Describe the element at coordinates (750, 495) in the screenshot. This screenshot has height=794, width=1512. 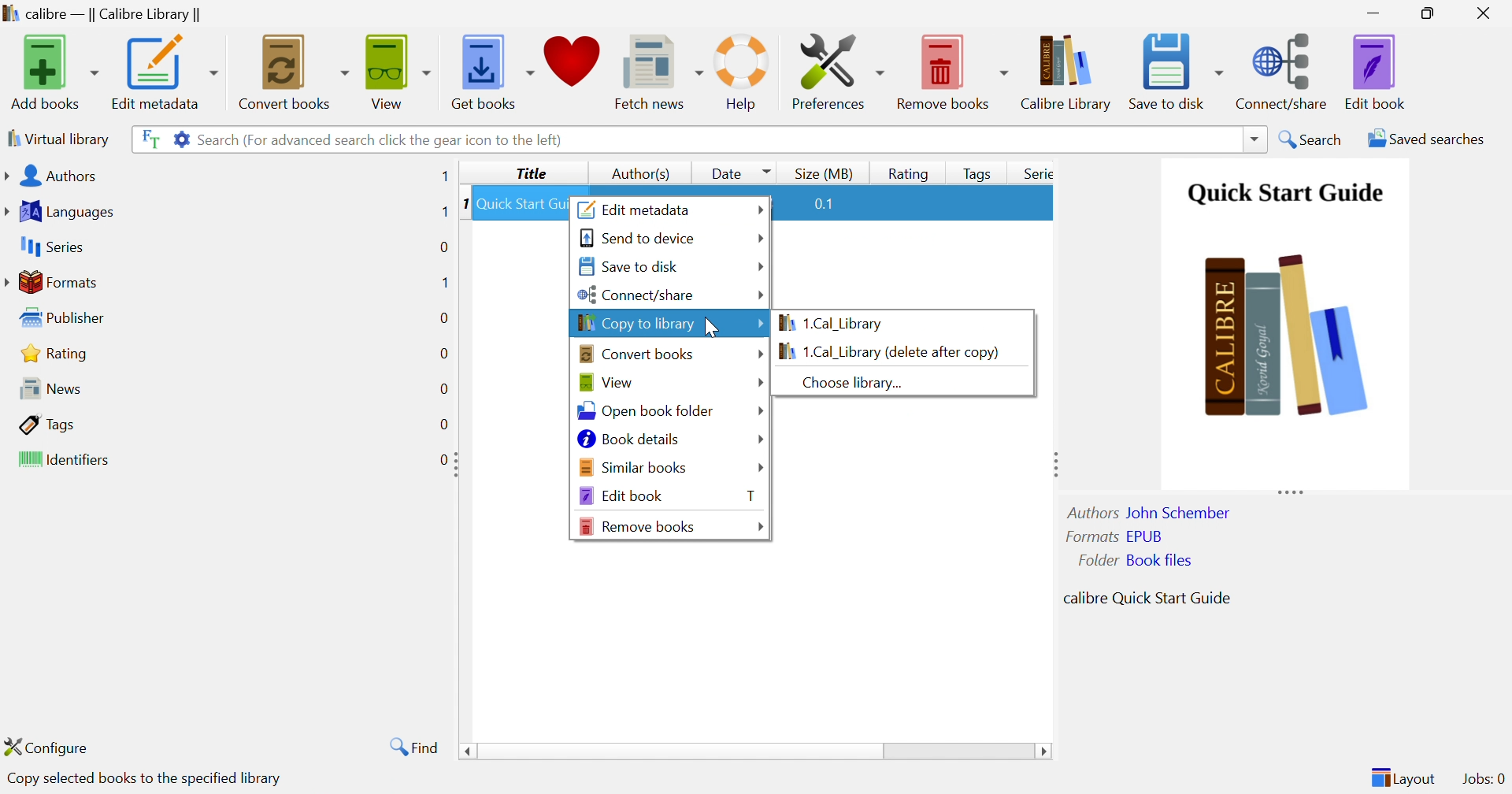
I see `T` at that location.